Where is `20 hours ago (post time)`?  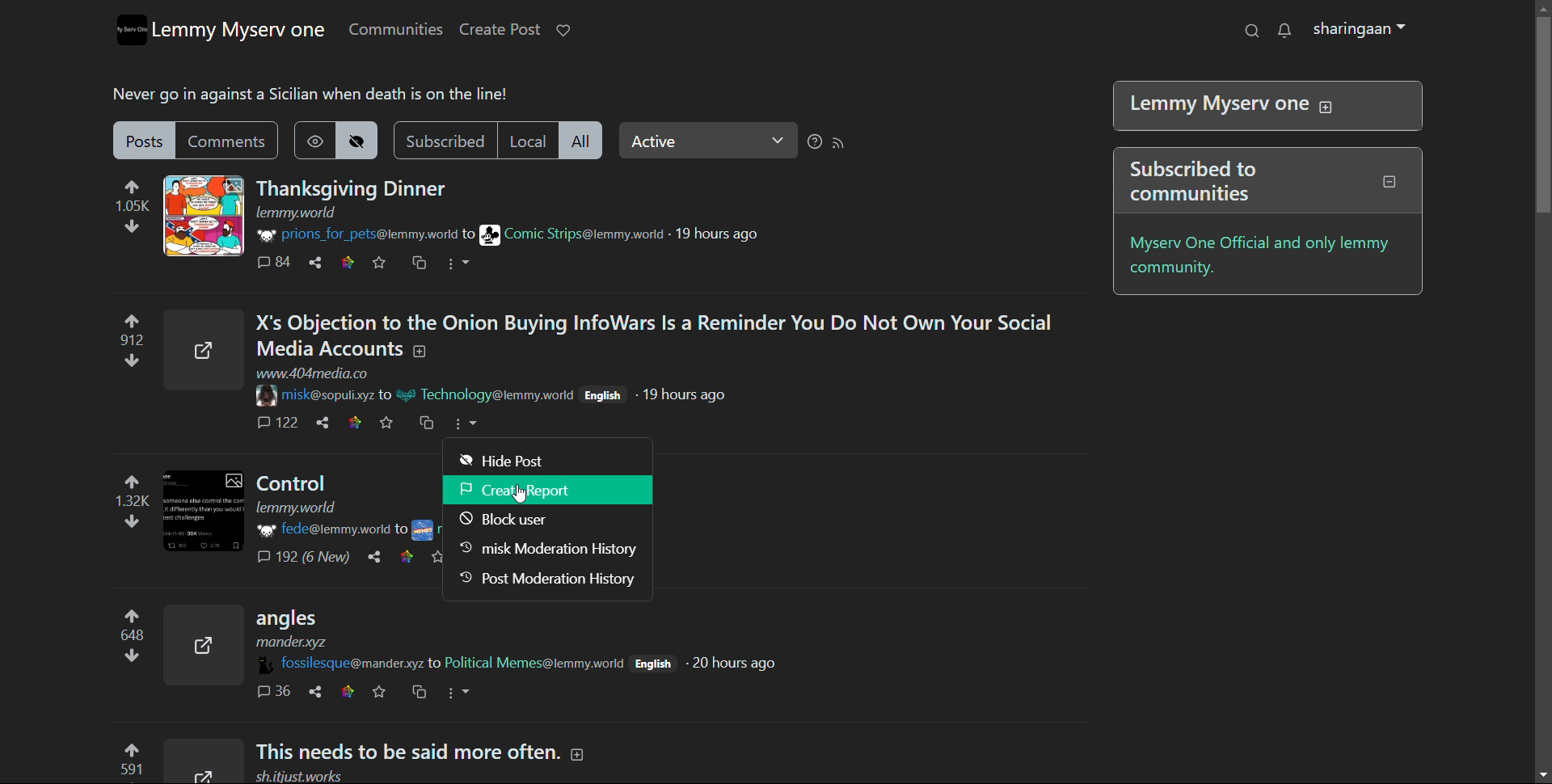
20 hours ago (post time) is located at coordinates (731, 663).